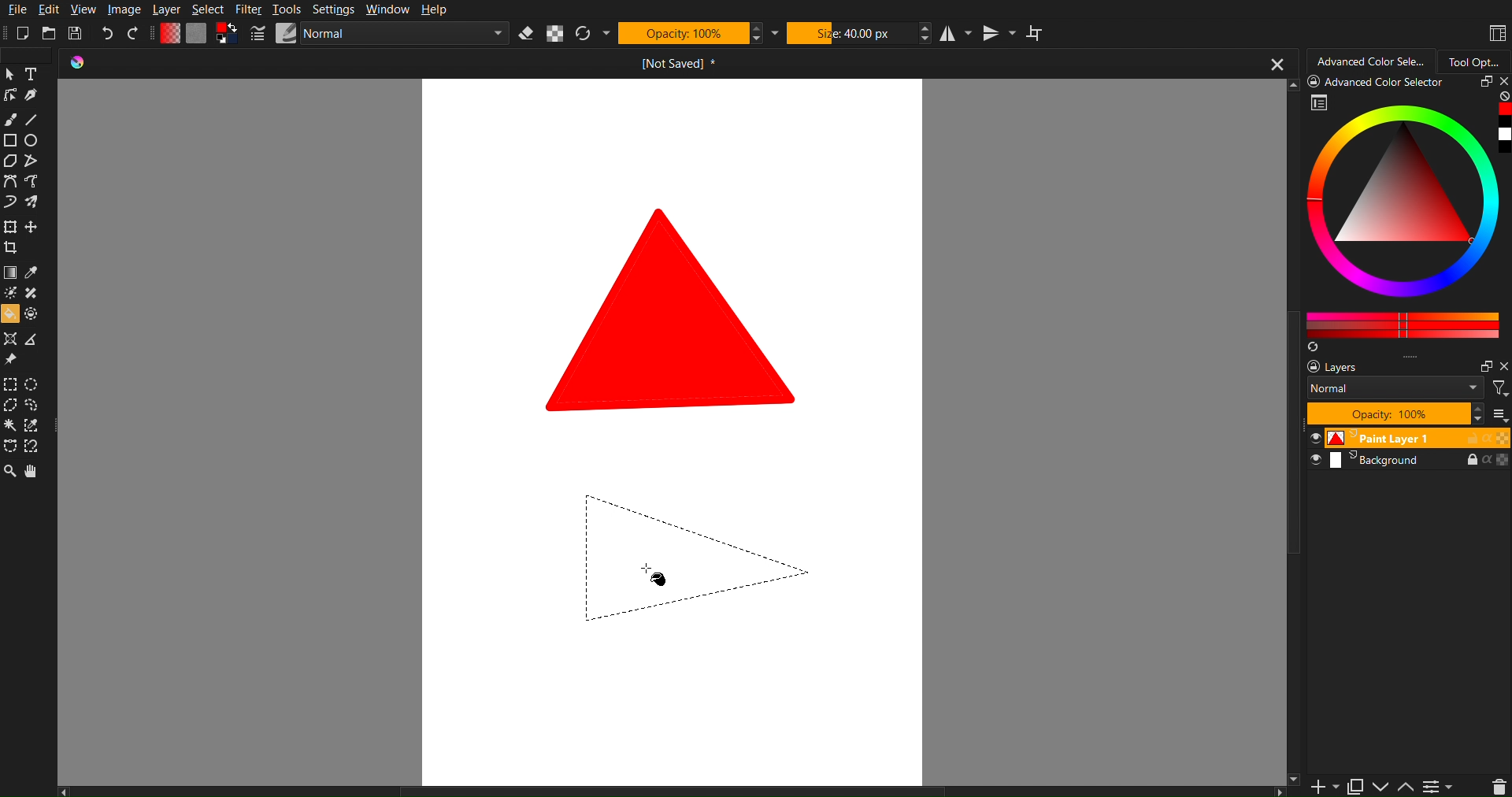 The image size is (1512, 797). Describe the element at coordinates (389, 9) in the screenshot. I see `Window` at that location.